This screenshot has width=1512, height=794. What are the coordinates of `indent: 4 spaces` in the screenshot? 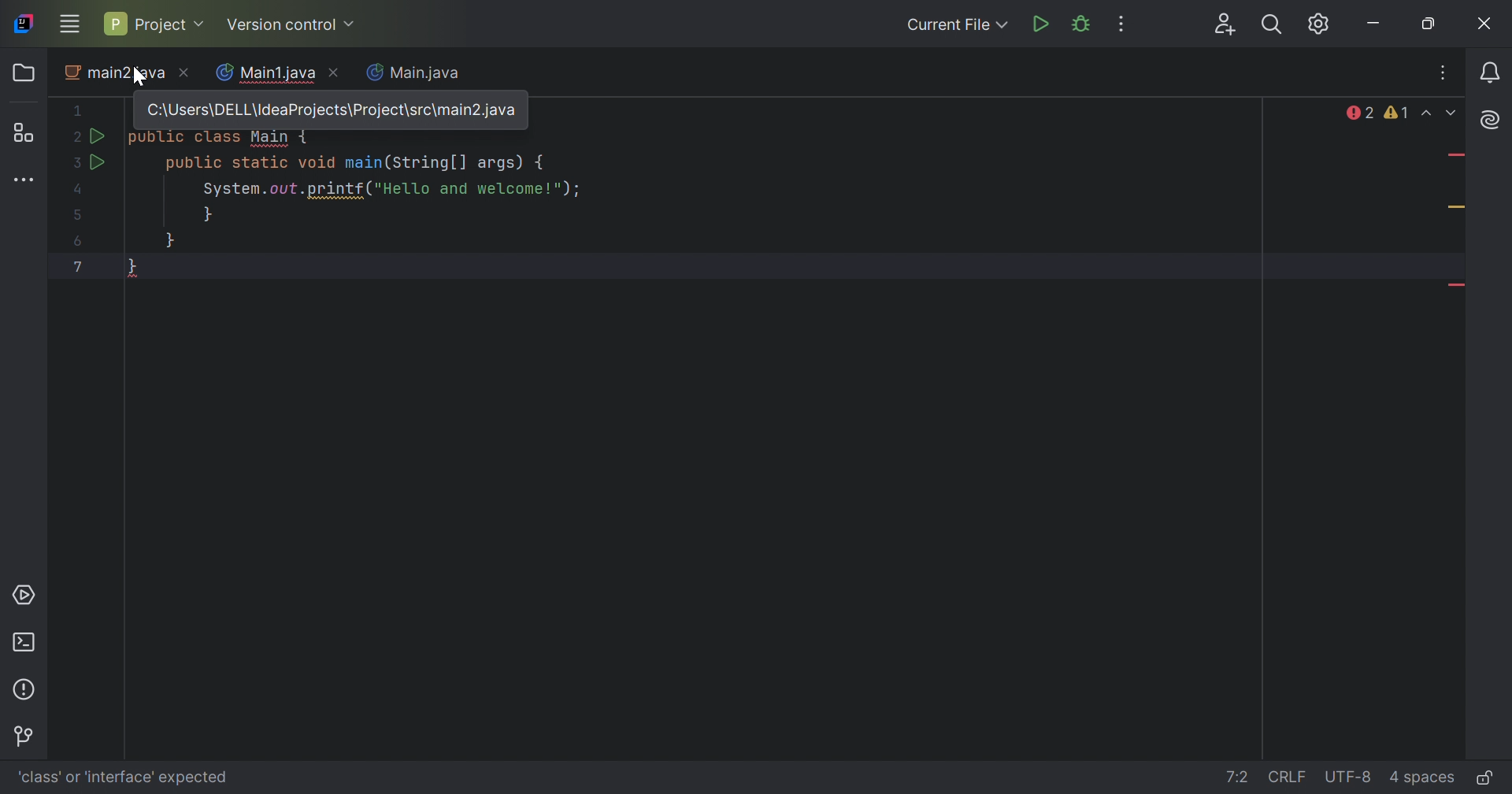 It's located at (1425, 779).